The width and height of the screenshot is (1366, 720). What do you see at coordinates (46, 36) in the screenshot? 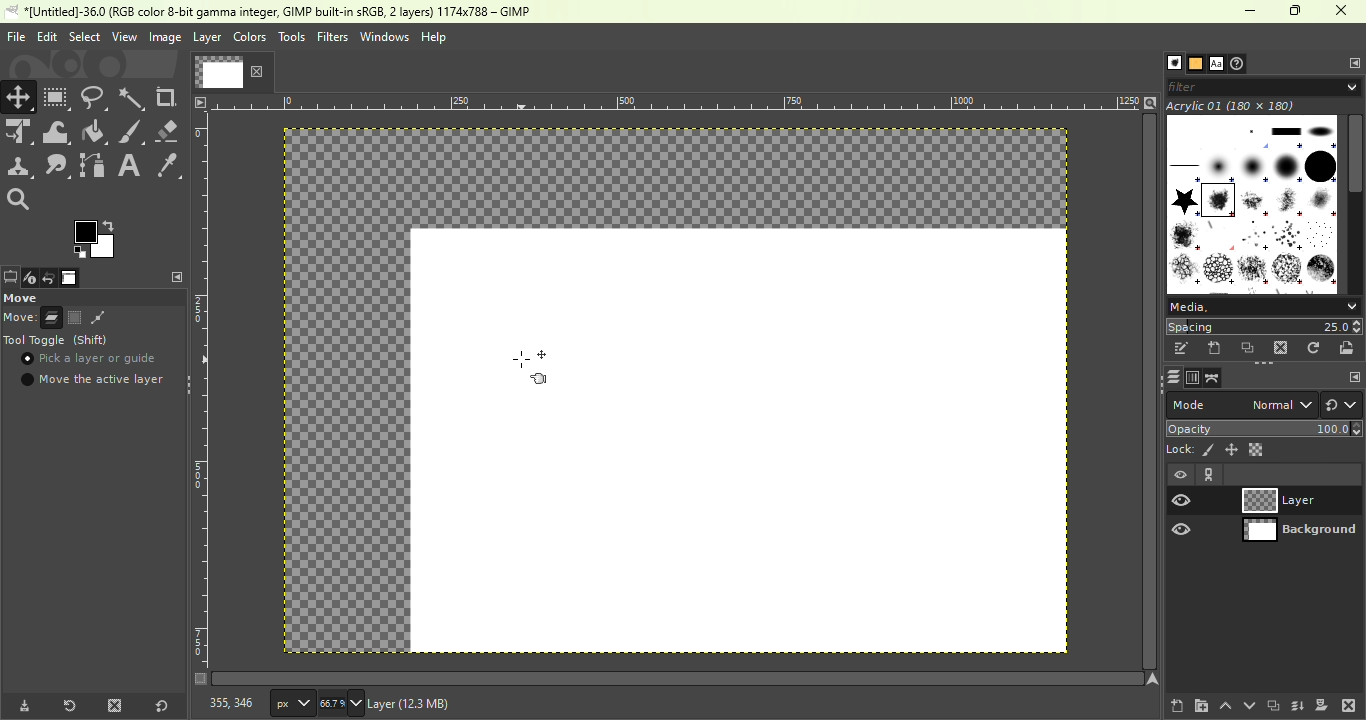
I see `Edit` at bounding box center [46, 36].